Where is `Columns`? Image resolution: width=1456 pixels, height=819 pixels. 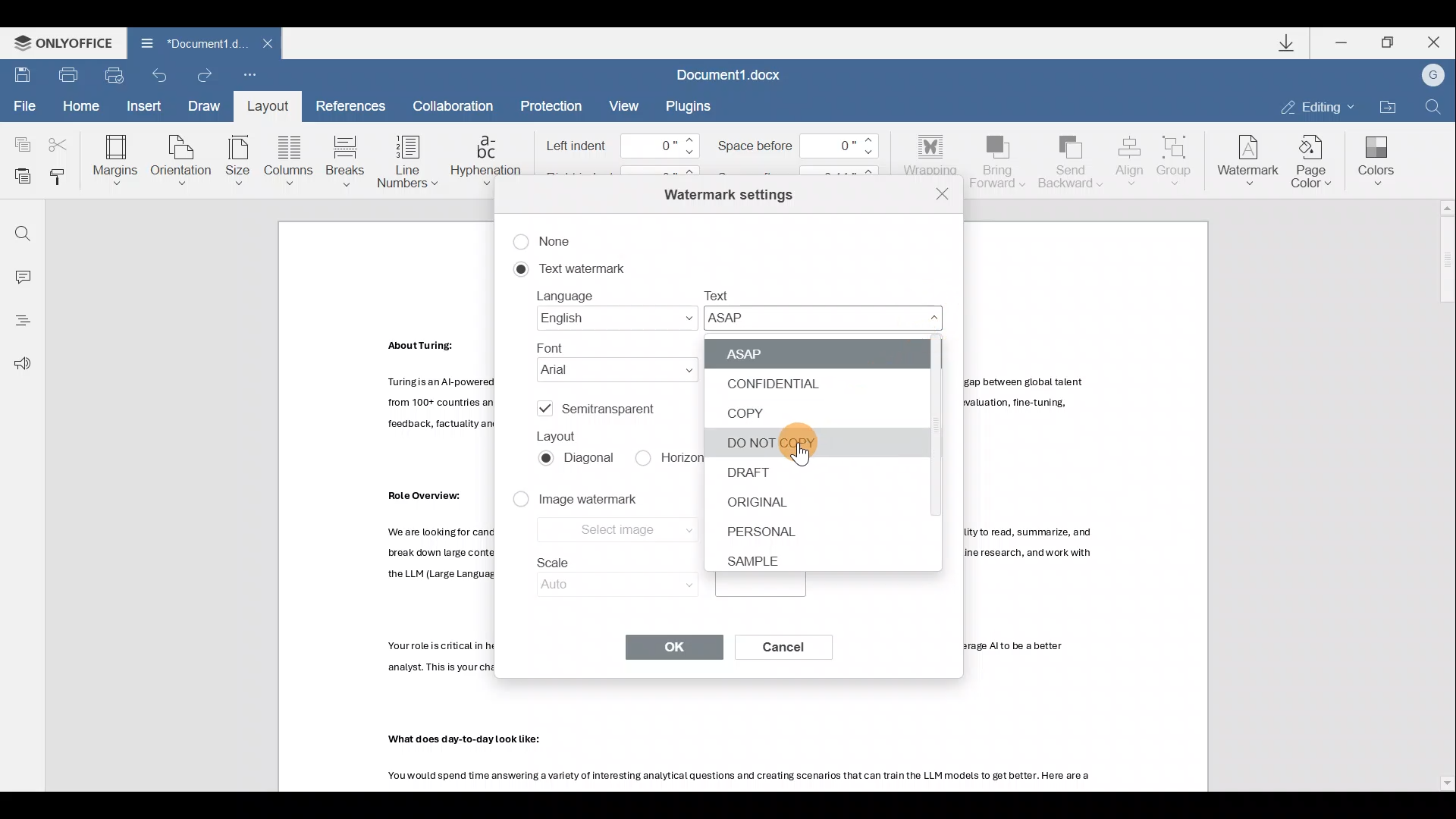 Columns is located at coordinates (290, 158).